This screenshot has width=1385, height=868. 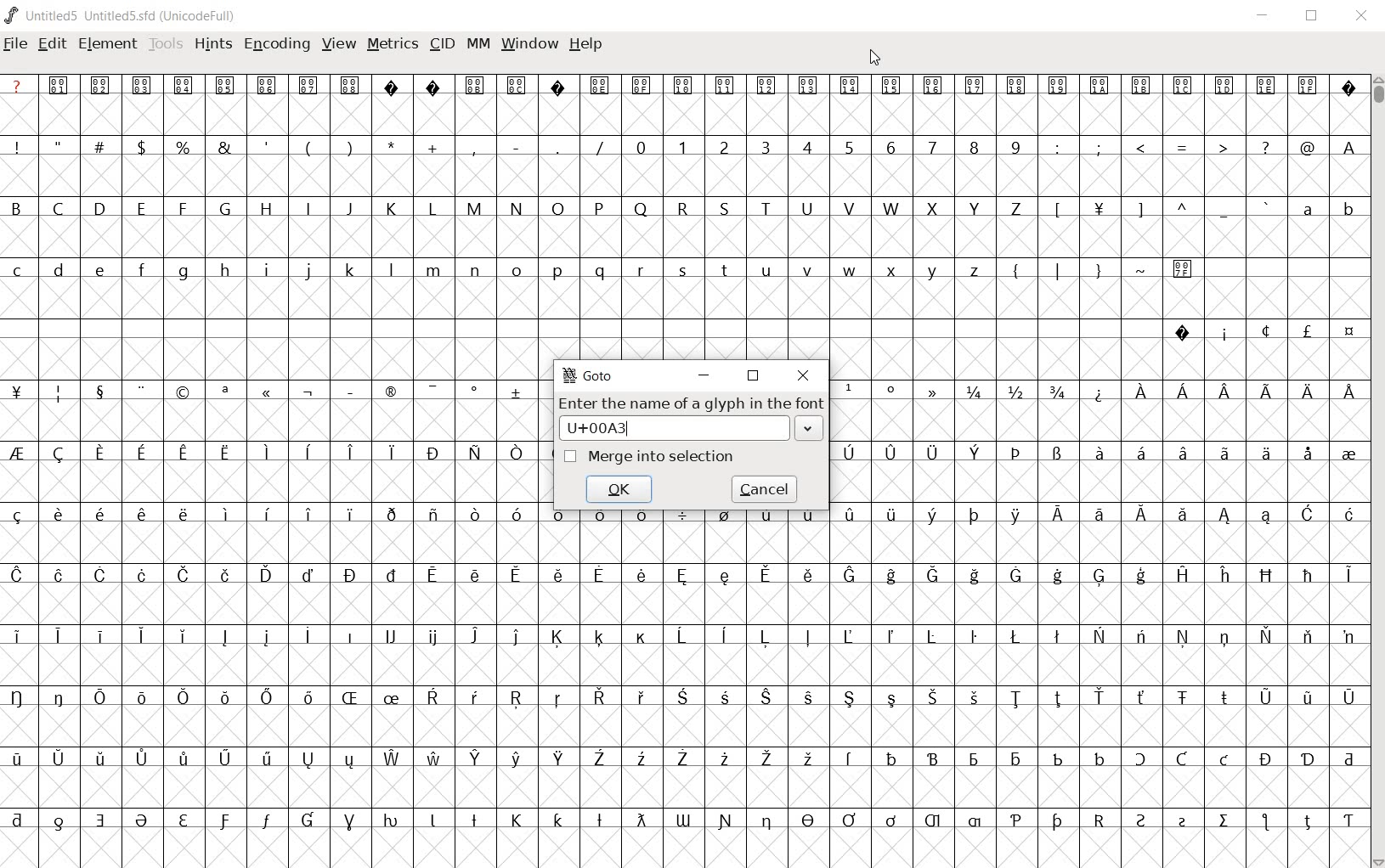 I want to click on Symbol, so click(x=891, y=518).